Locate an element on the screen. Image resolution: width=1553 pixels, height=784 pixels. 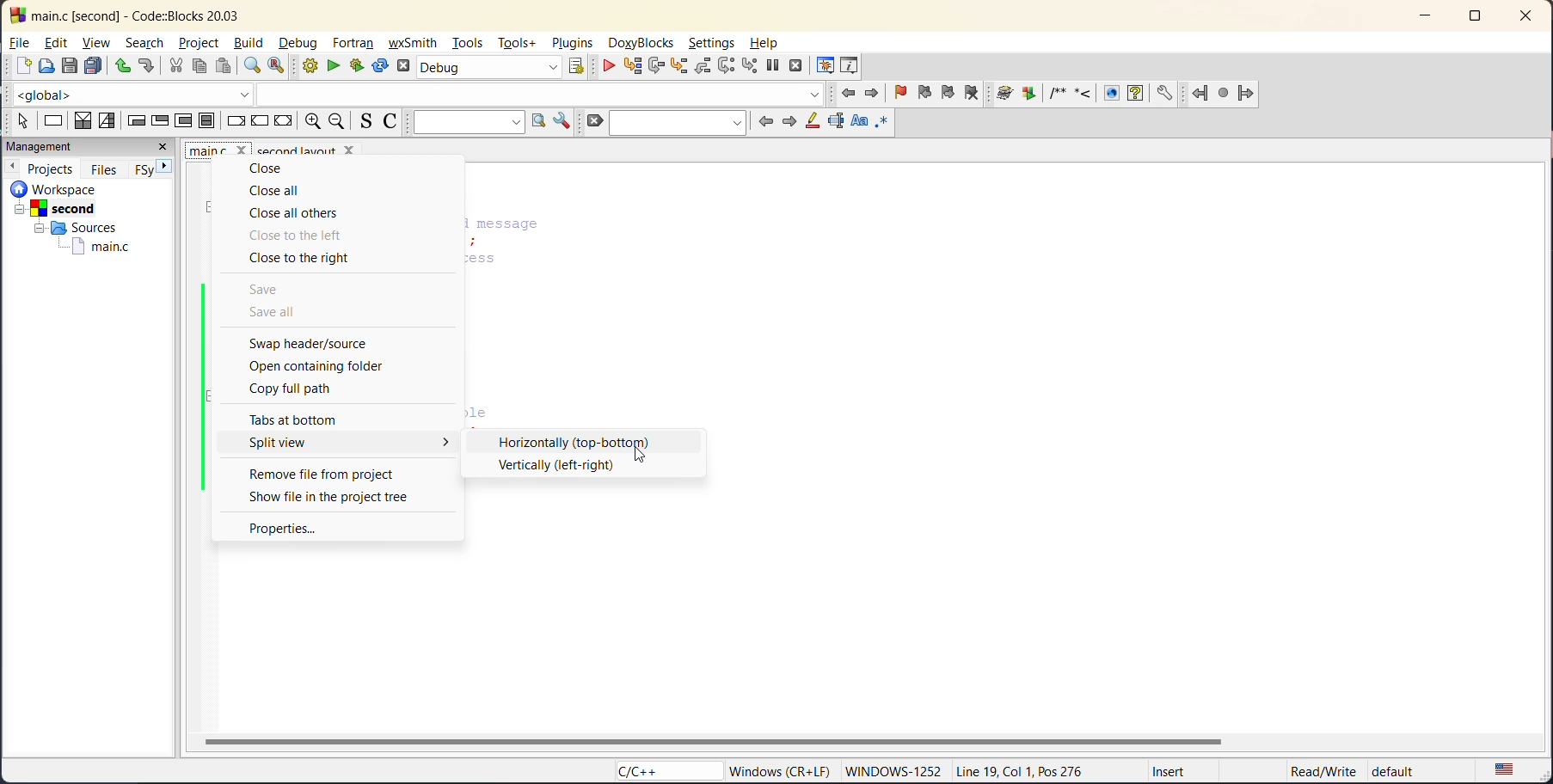
selected text is located at coordinates (834, 123).